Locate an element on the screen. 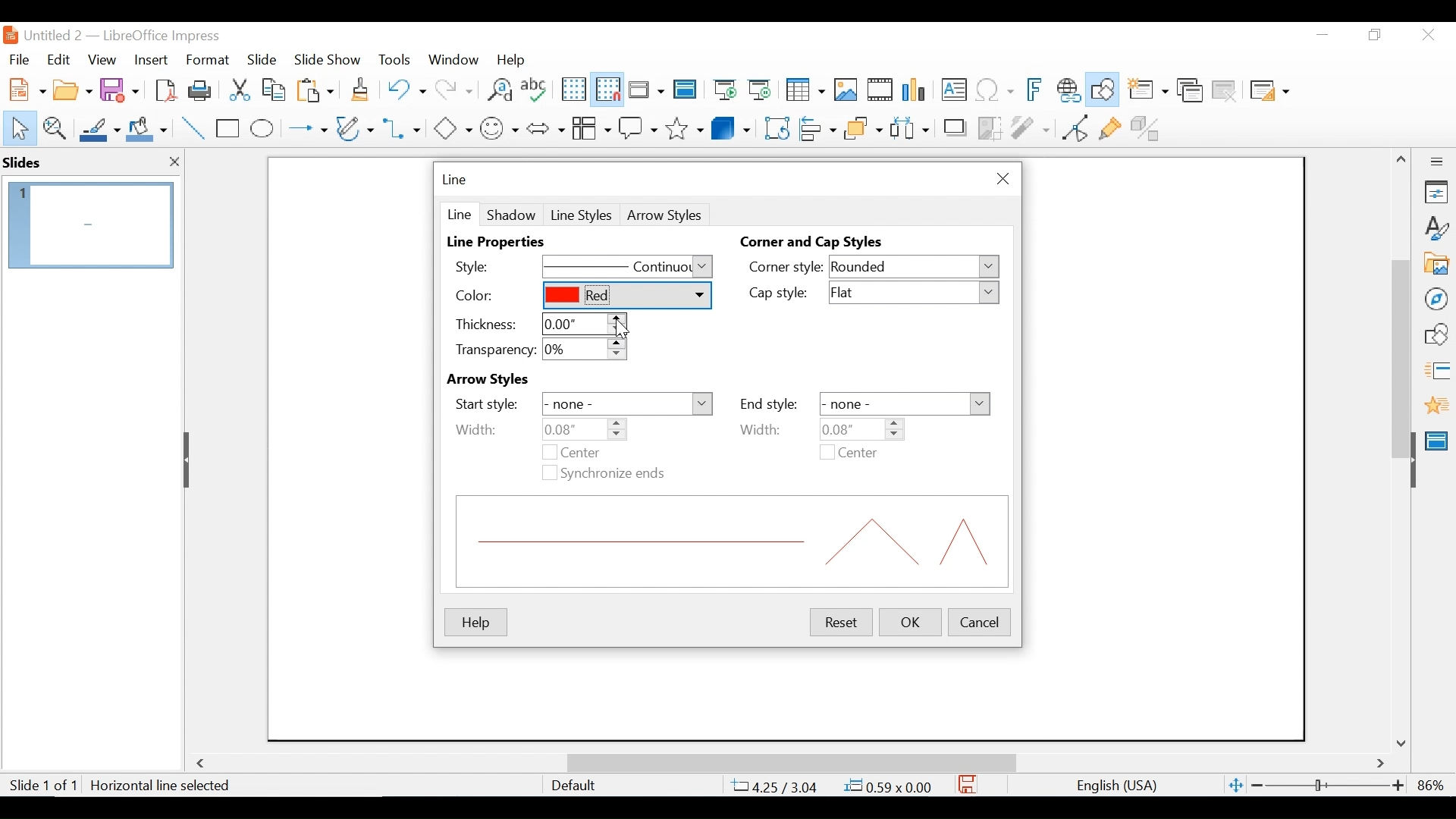 The height and width of the screenshot is (819, 1456). Shadow Image is located at coordinates (956, 127).